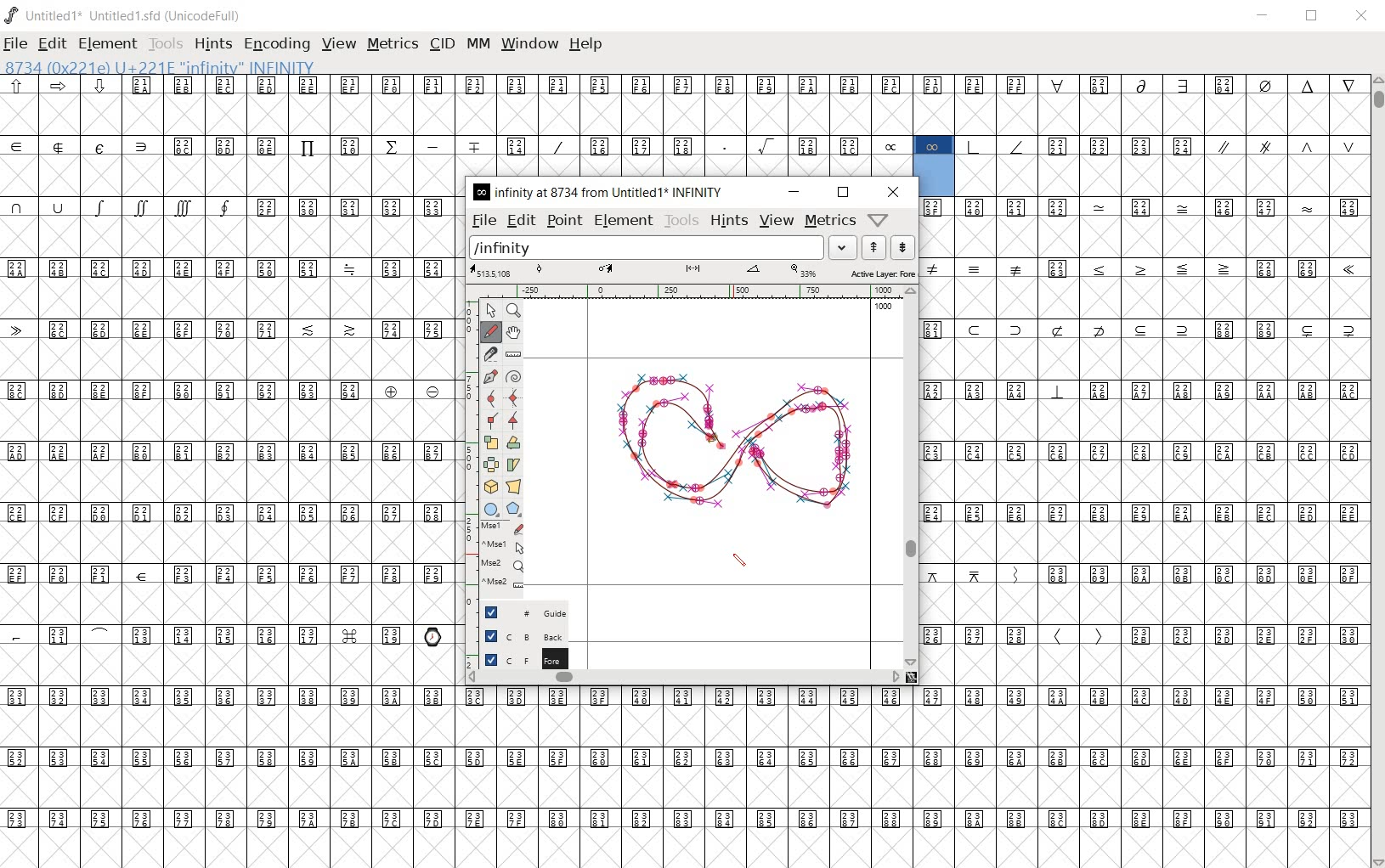  I want to click on Unicode code points, so click(1291, 268).